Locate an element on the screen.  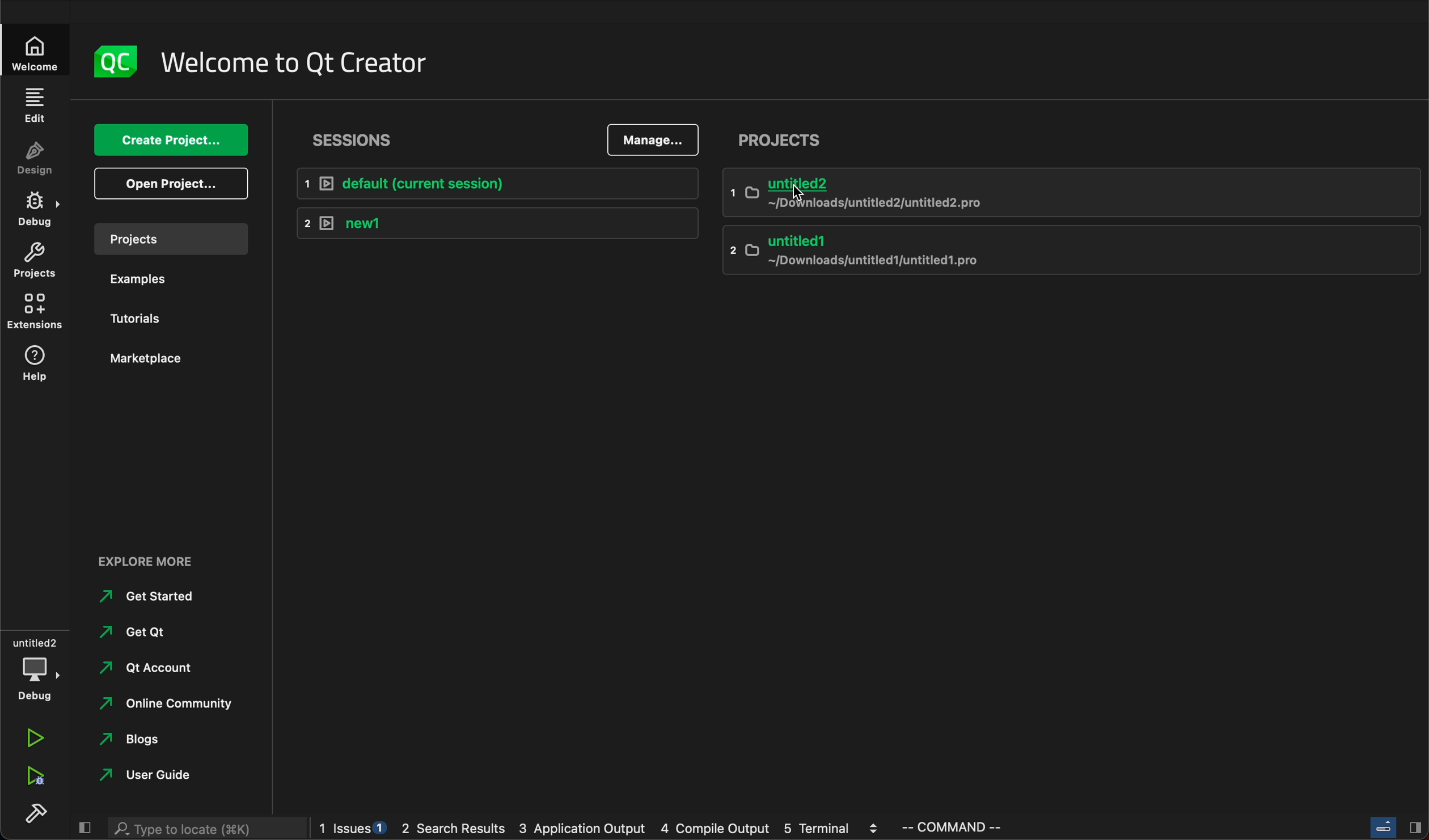
create is located at coordinates (171, 141).